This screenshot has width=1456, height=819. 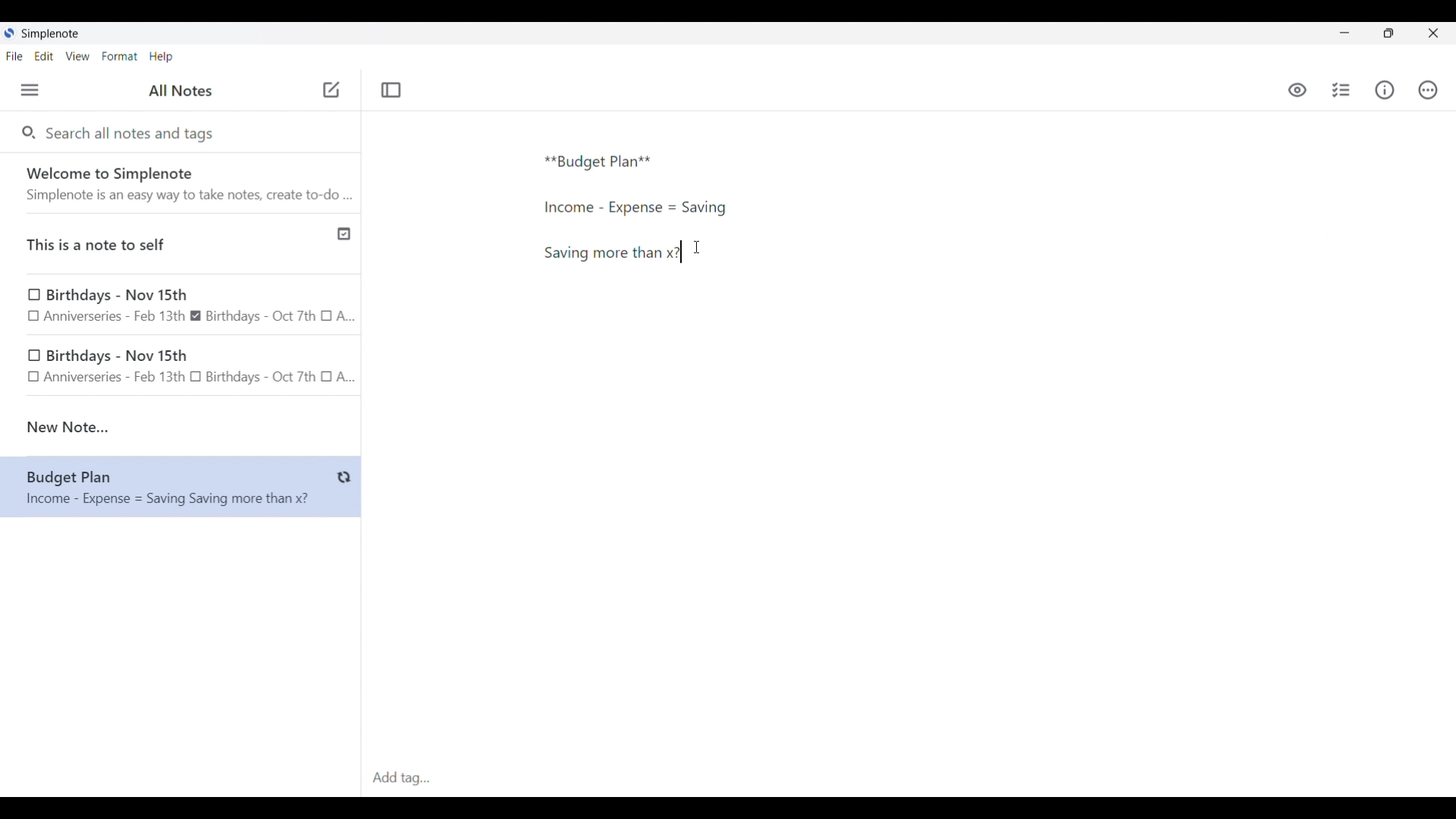 What do you see at coordinates (184, 183) in the screenshot?
I see `Software welcome note` at bounding box center [184, 183].